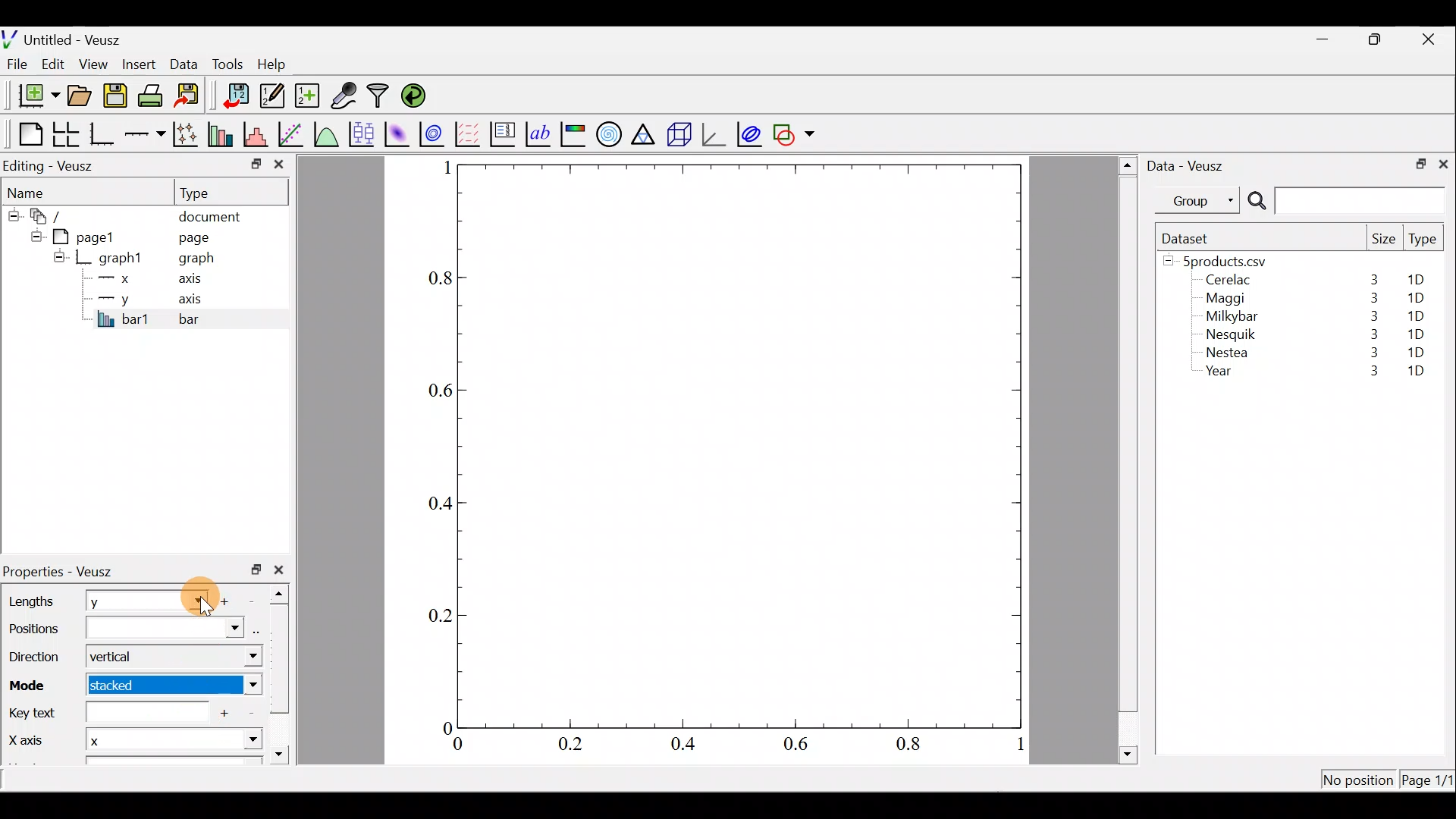 Image resolution: width=1456 pixels, height=819 pixels. I want to click on close, so click(1443, 163).